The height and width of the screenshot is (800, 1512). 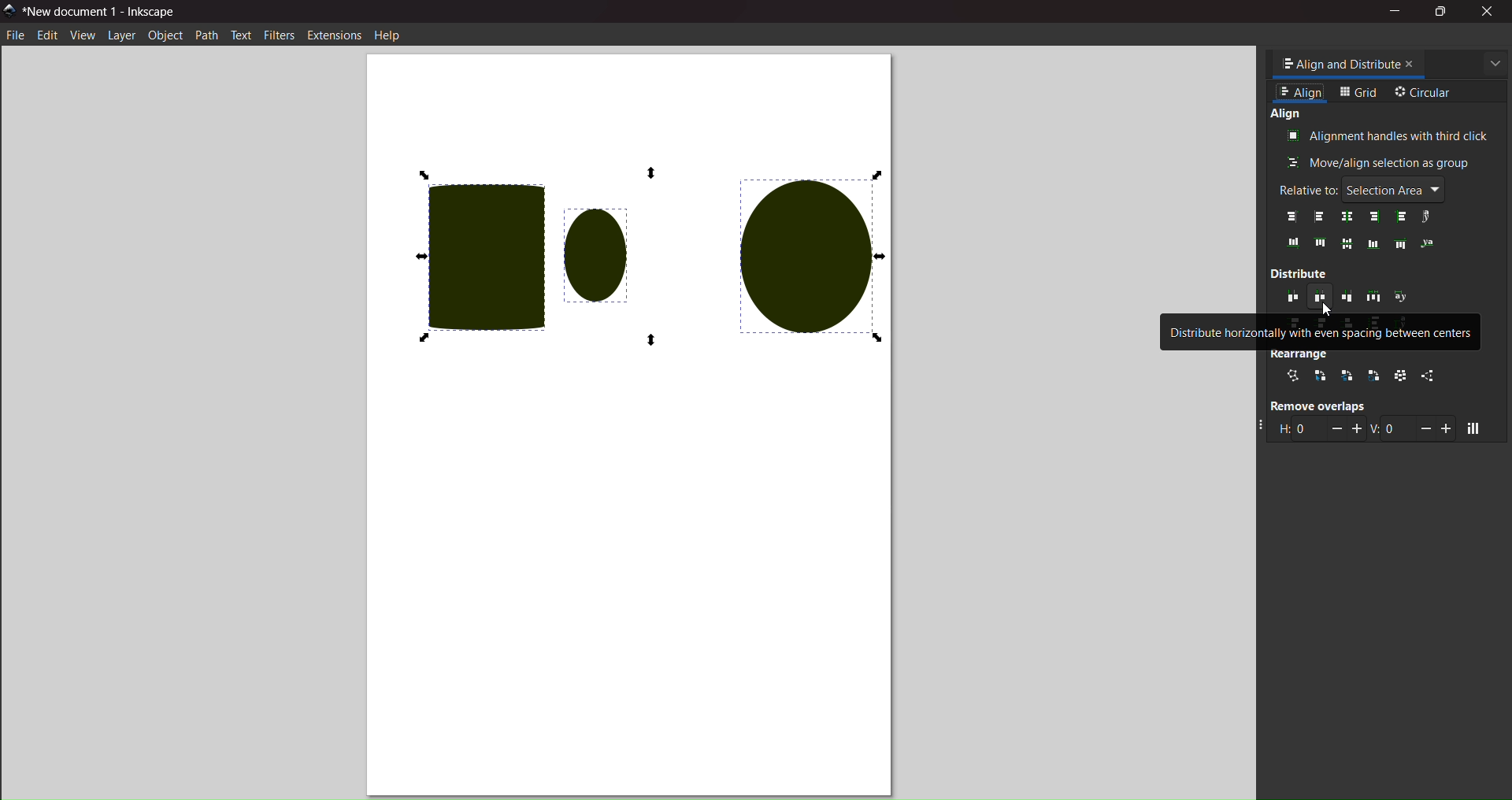 I want to click on extension, so click(x=334, y=35).